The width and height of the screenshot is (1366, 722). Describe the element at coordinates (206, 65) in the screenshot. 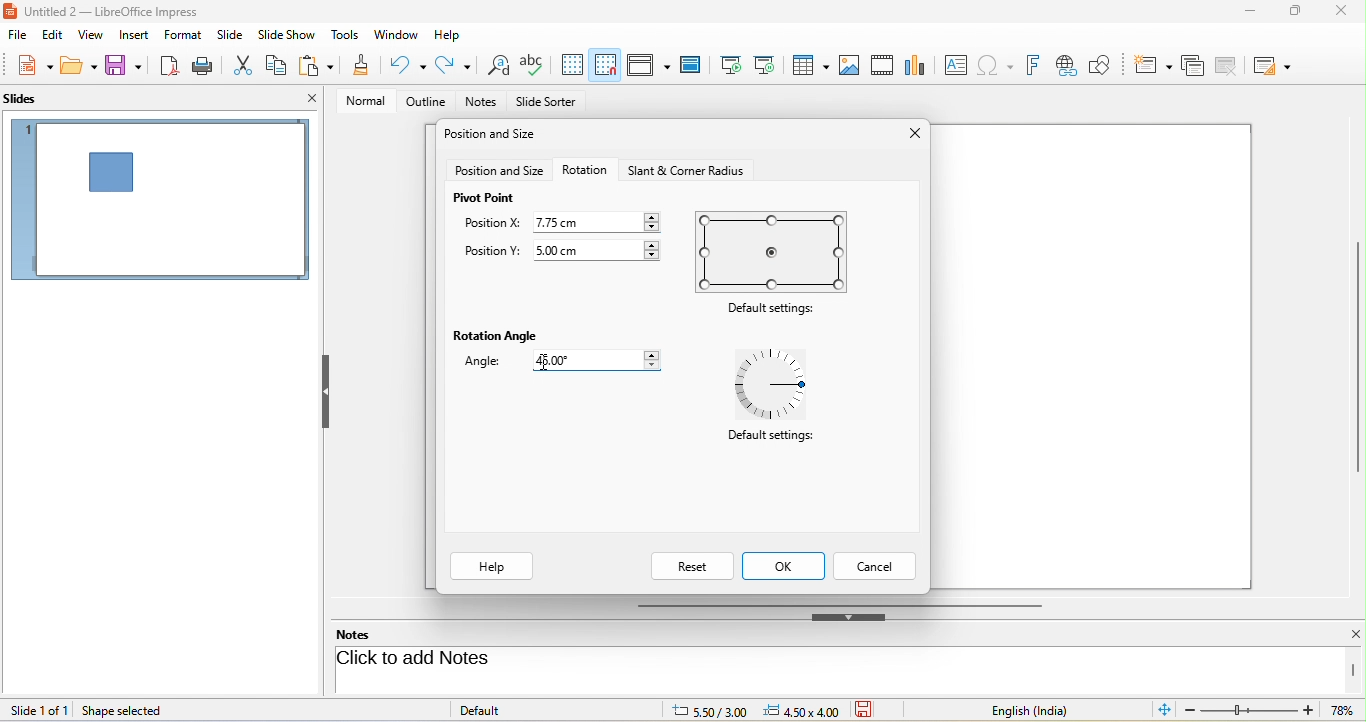

I see `print` at that location.